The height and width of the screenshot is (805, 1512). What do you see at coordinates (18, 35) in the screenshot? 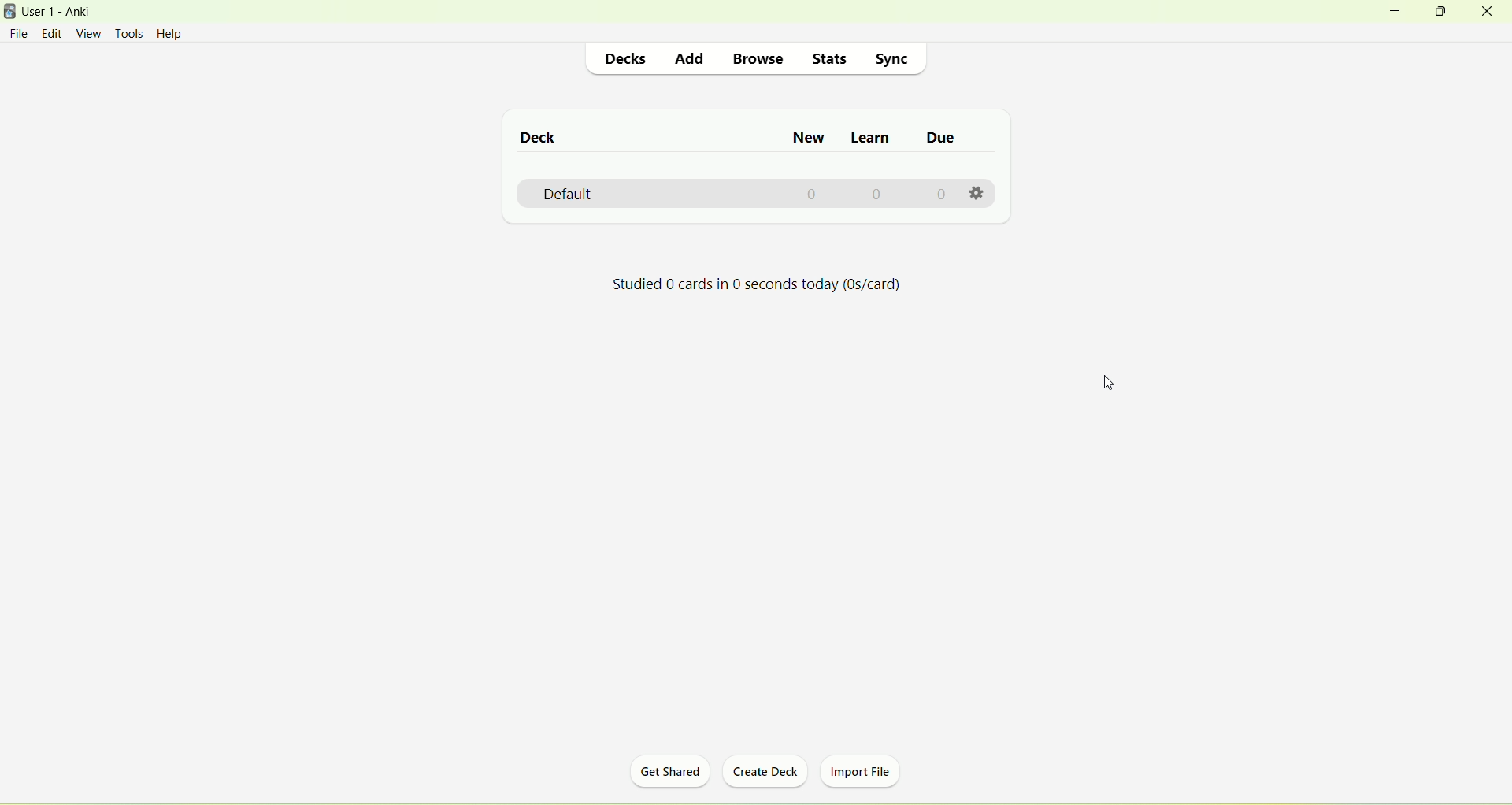
I see `file` at bounding box center [18, 35].